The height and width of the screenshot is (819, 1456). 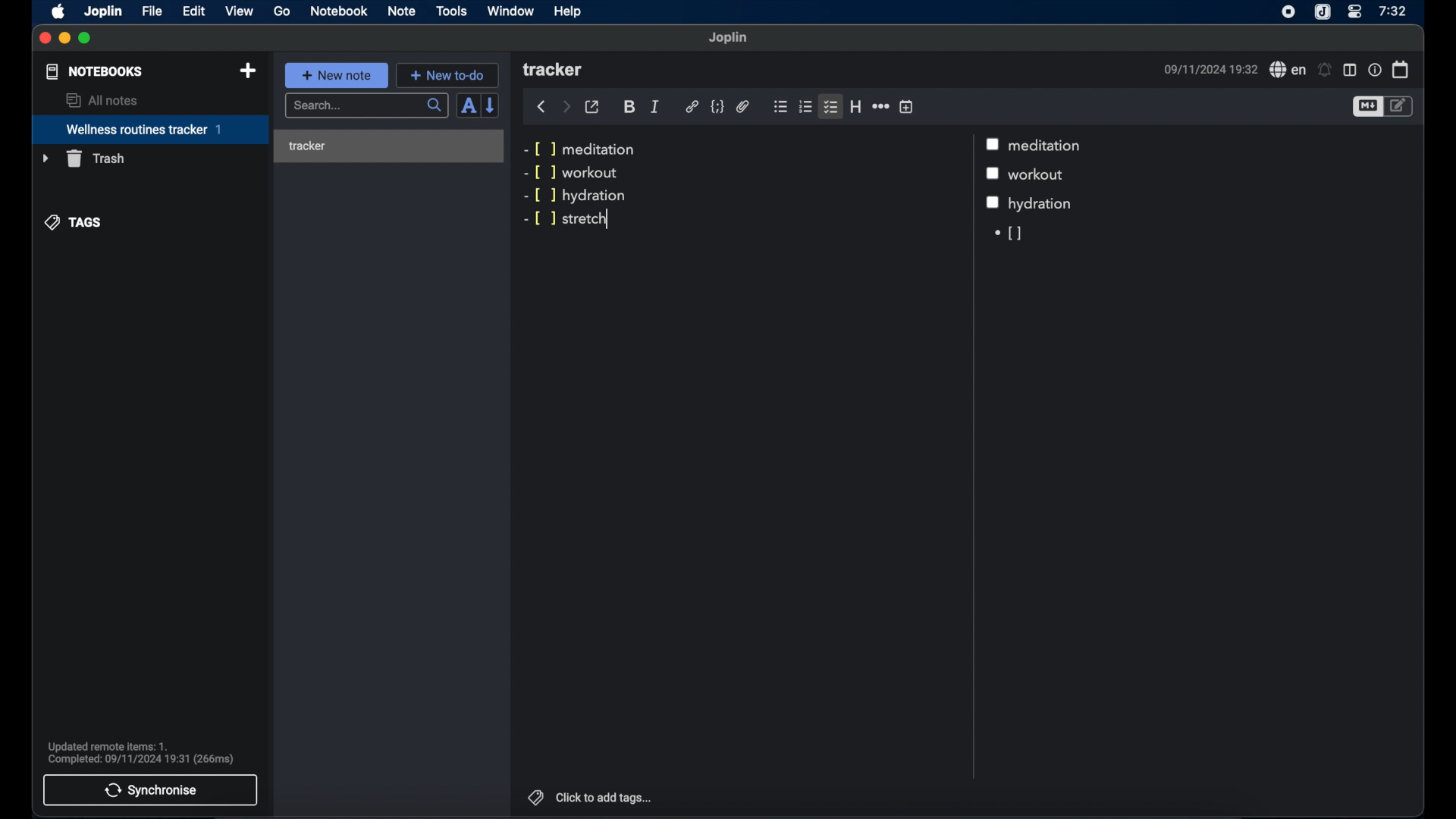 I want to click on Updated remote items: 1. Complete: 09/11/2024 19:31 (266ms), so click(x=147, y=751).